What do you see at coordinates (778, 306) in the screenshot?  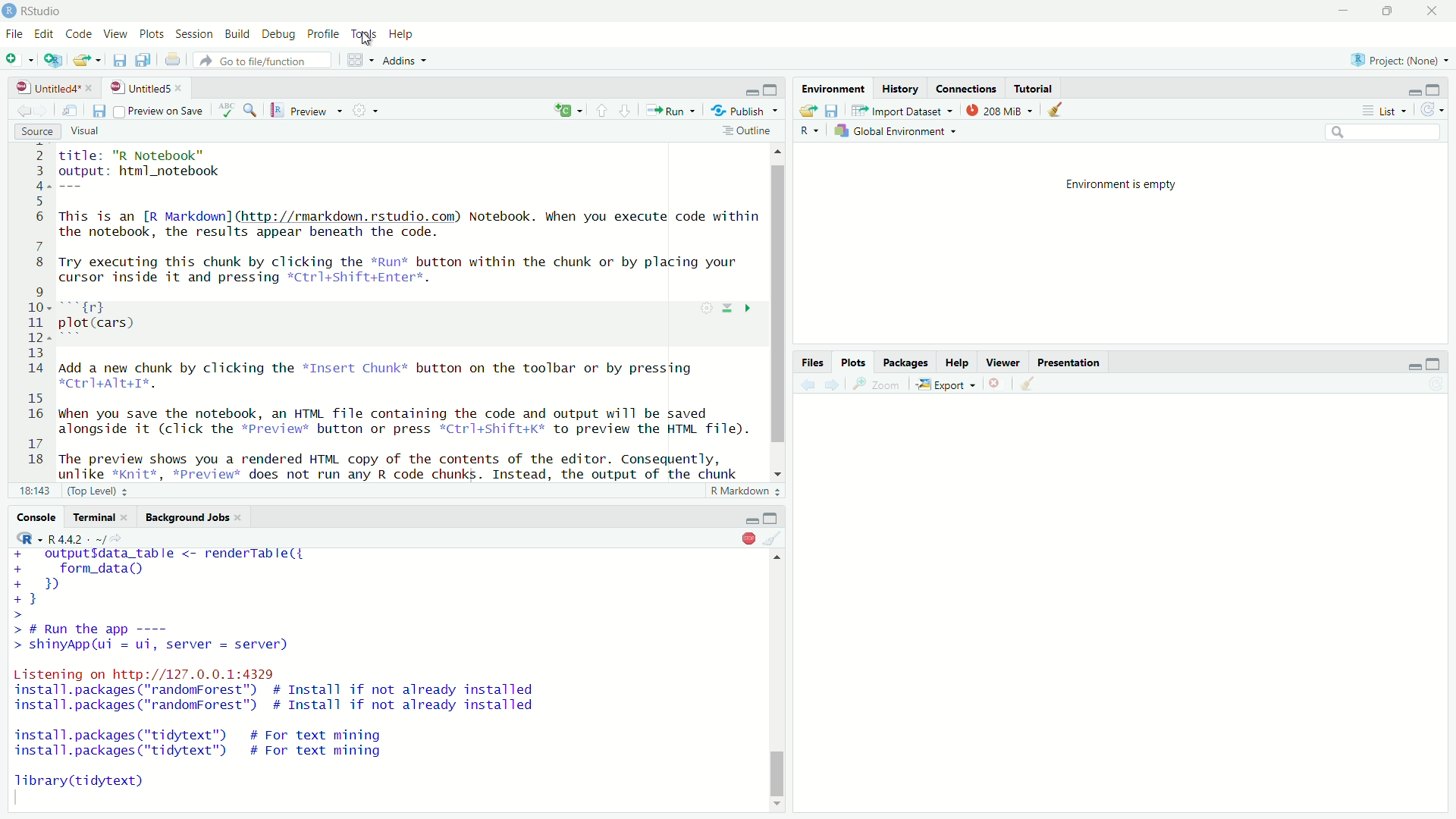 I see `vertical scrollbar` at bounding box center [778, 306].